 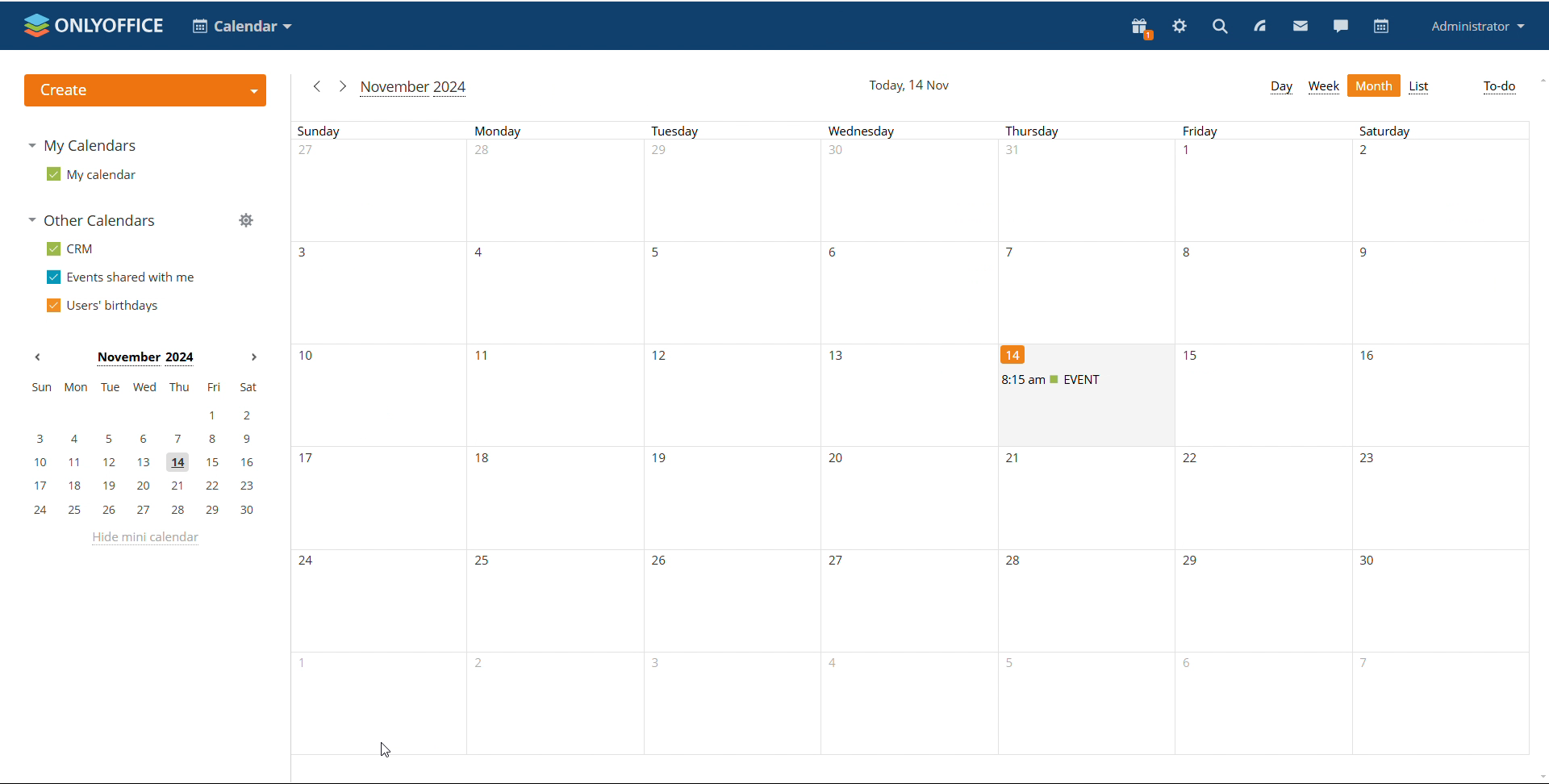 What do you see at coordinates (95, 219) in the screenshot?
I see `other calendars` at bounding box center [95, 219].